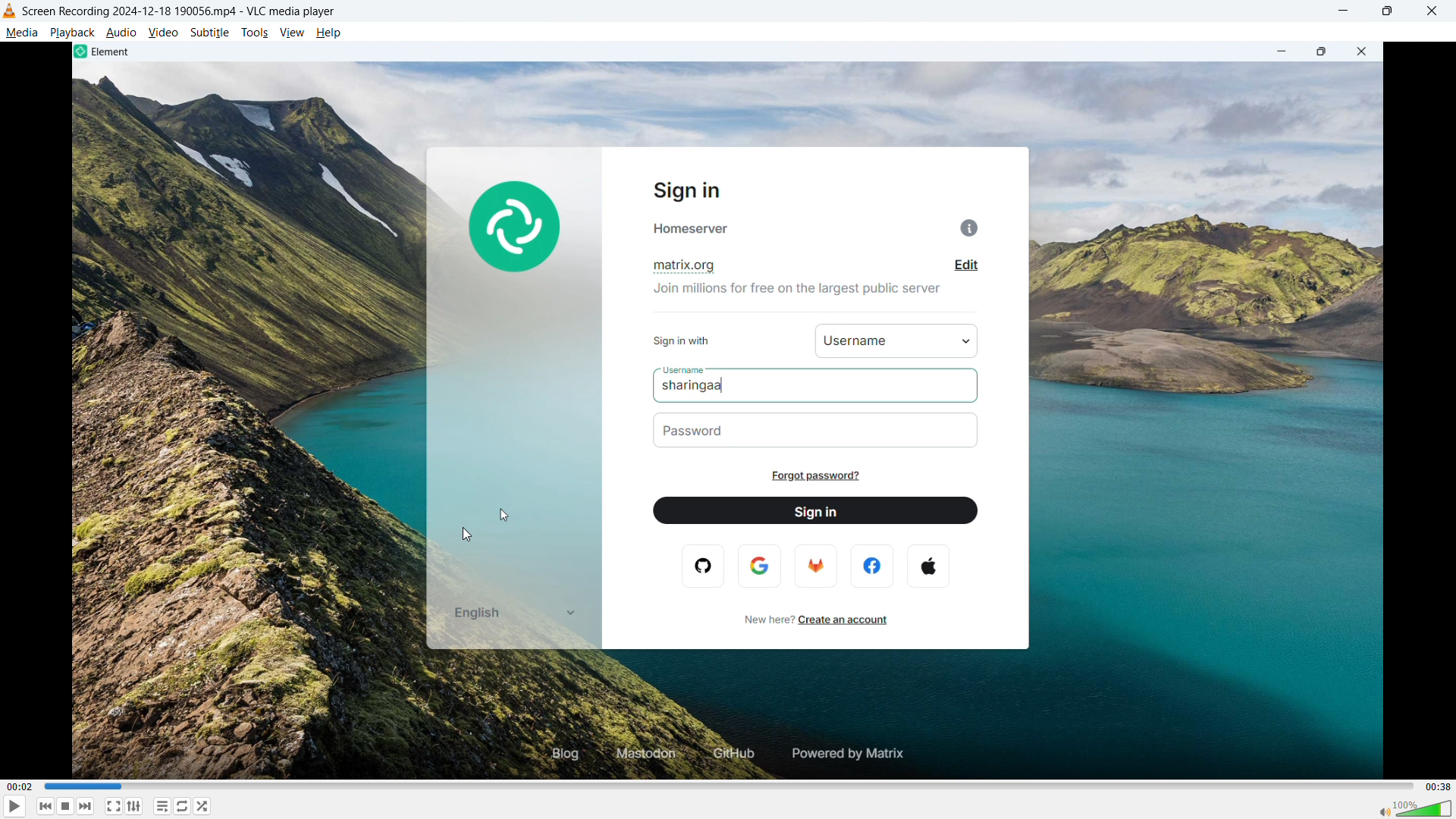  I want to click on Username, so click(852, 341).